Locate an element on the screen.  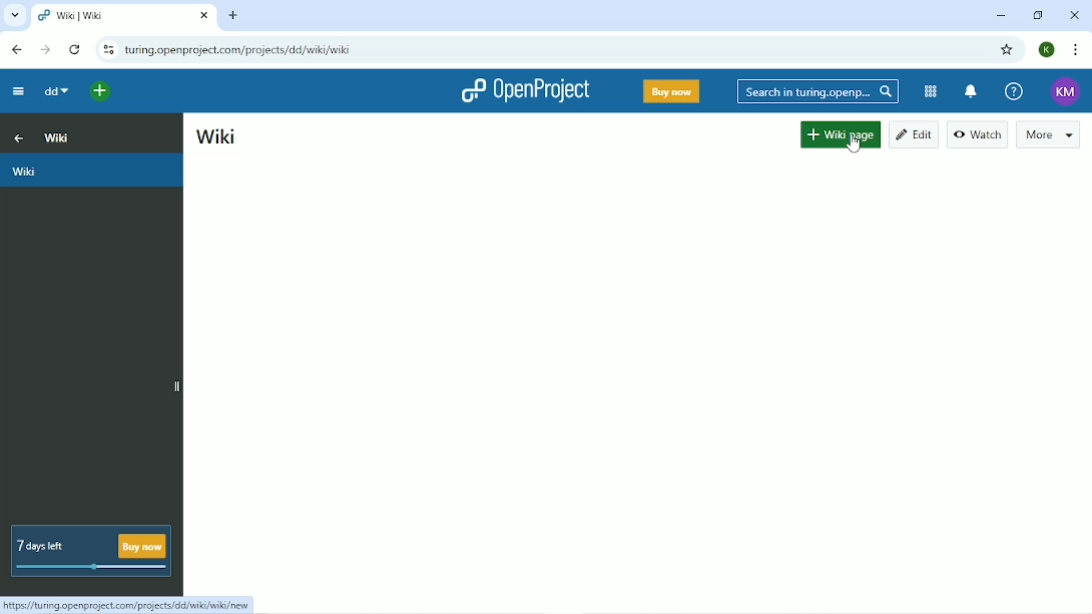
Wiki page is located at coordinates (840, 135).